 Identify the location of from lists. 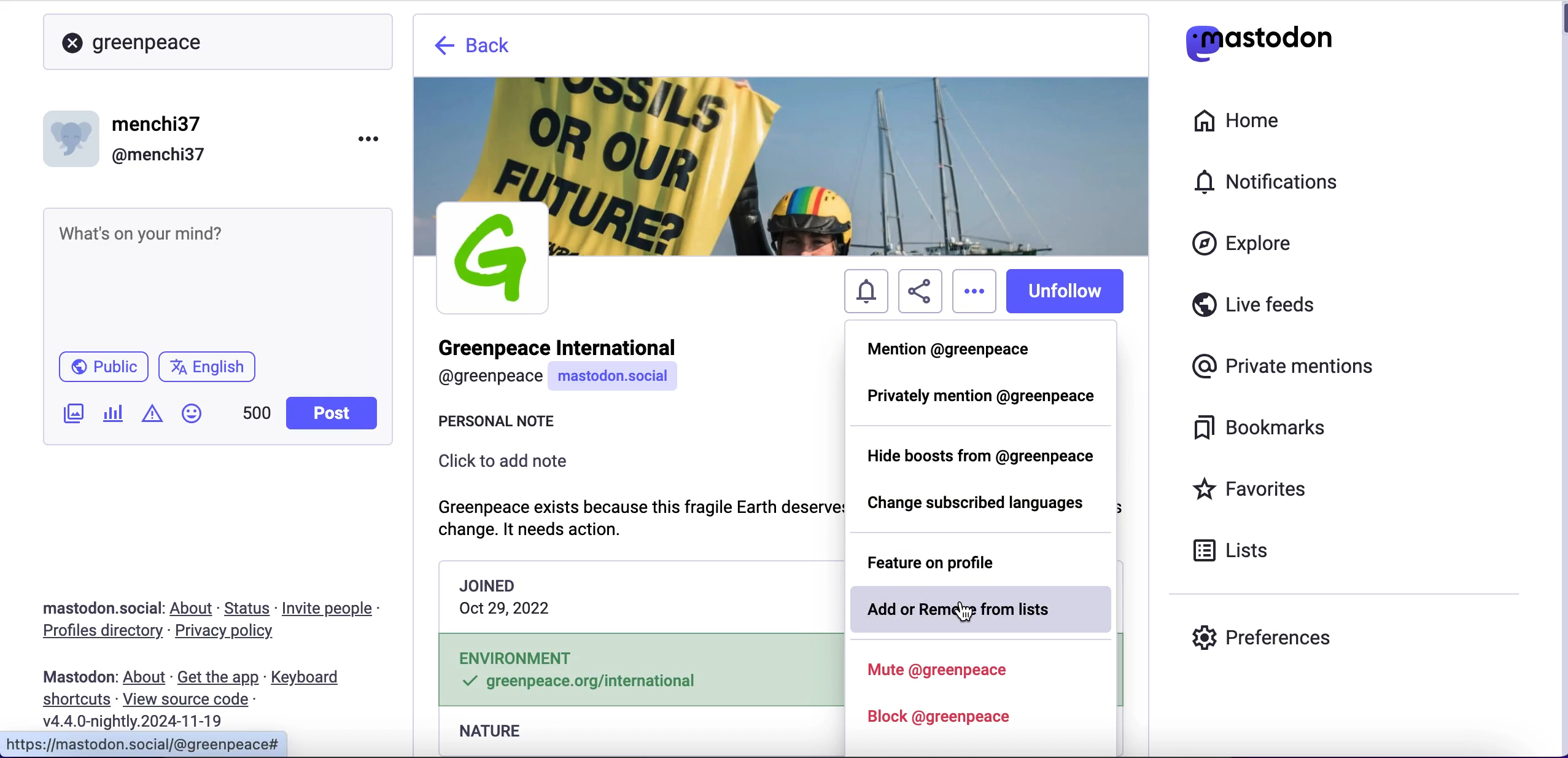
(1019, 609).